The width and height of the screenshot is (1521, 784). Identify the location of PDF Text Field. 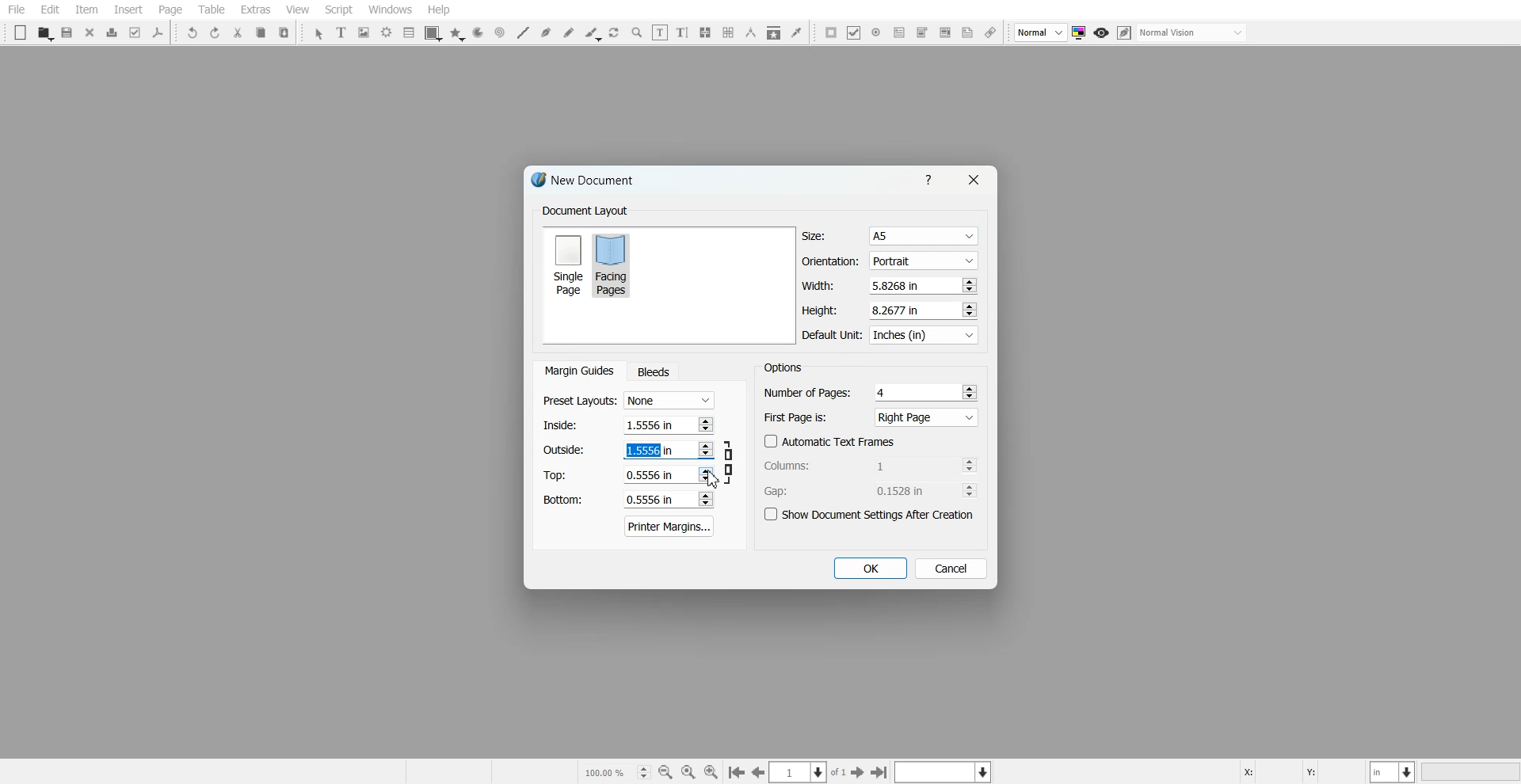
(899, 32).